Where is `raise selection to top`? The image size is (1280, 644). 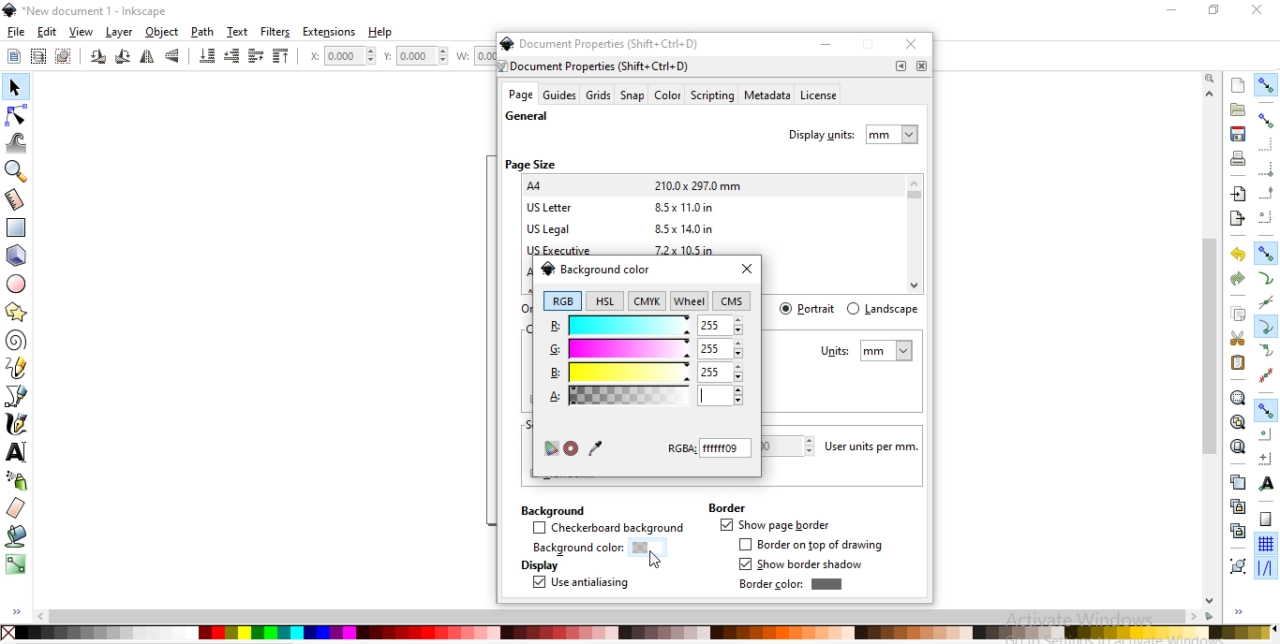
raise selection to top is located at coordinates (281, 57).